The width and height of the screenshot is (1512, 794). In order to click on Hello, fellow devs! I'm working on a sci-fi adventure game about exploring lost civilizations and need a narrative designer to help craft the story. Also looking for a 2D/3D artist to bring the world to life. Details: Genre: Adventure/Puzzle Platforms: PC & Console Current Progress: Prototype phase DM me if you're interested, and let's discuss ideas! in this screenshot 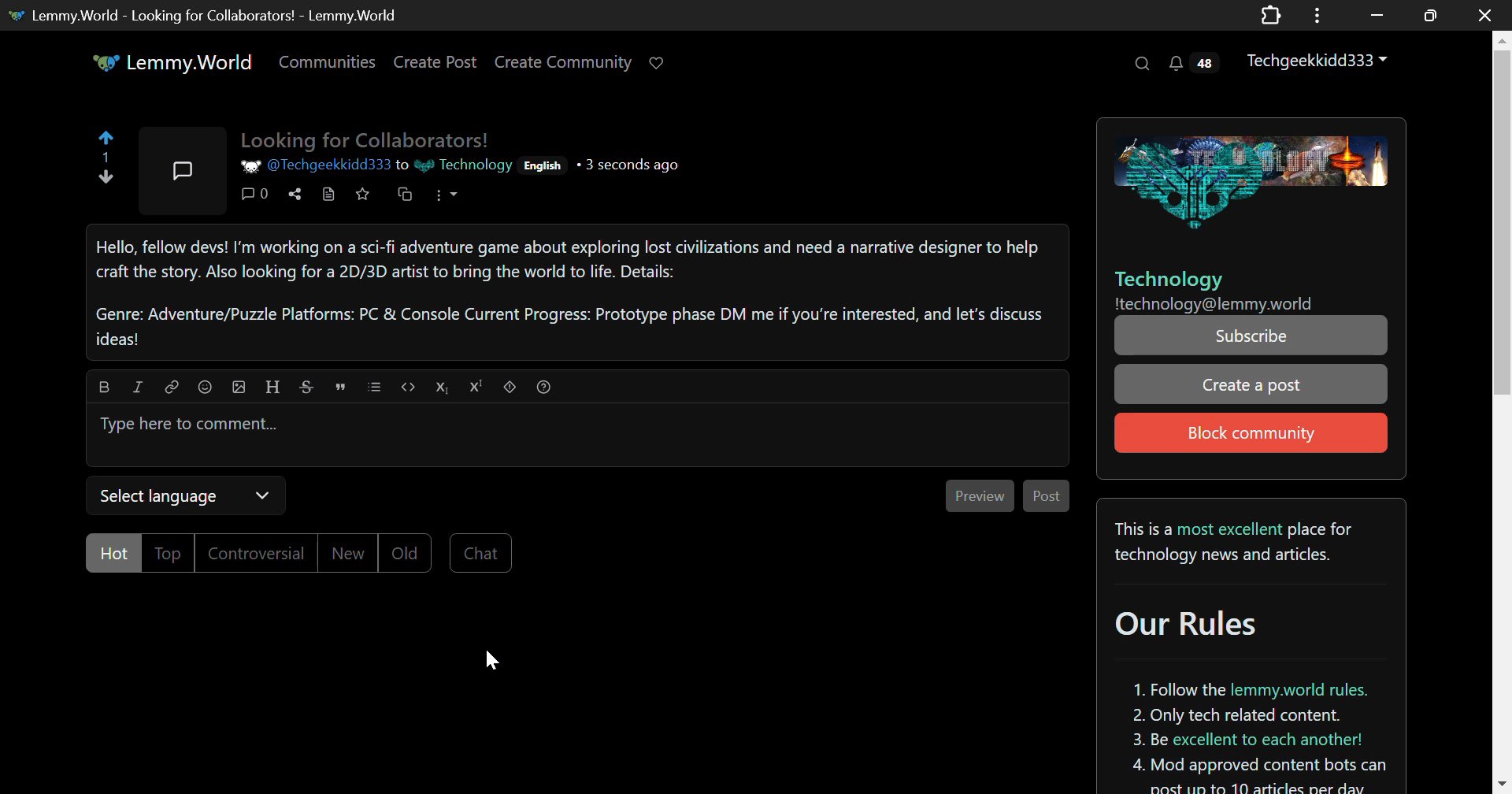, I will do `click(576, 293)`.